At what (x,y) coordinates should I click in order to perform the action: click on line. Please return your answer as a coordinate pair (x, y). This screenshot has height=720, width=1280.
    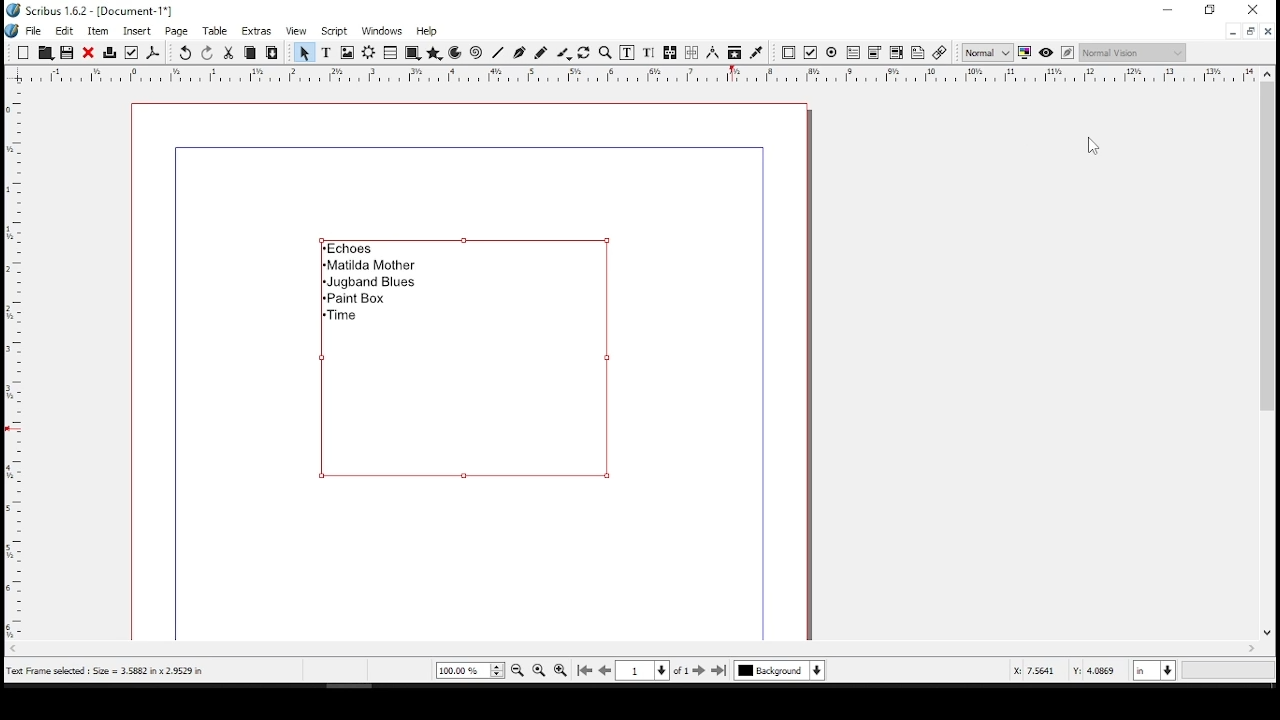
    Looking at the image, I should click on (499, 52).